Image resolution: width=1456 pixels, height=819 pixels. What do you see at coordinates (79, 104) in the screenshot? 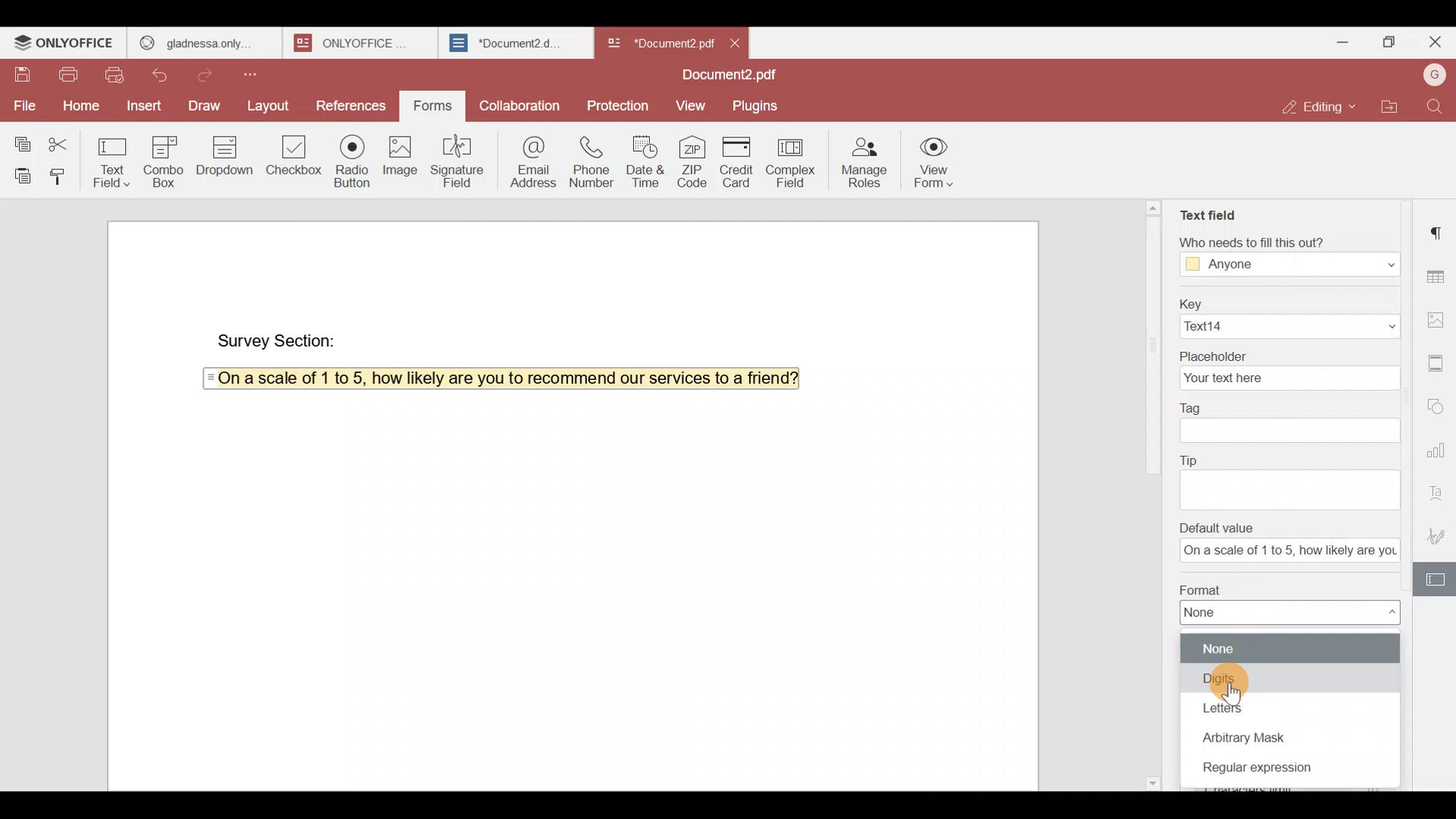
I see `Home` at bounding box center [79, 104].